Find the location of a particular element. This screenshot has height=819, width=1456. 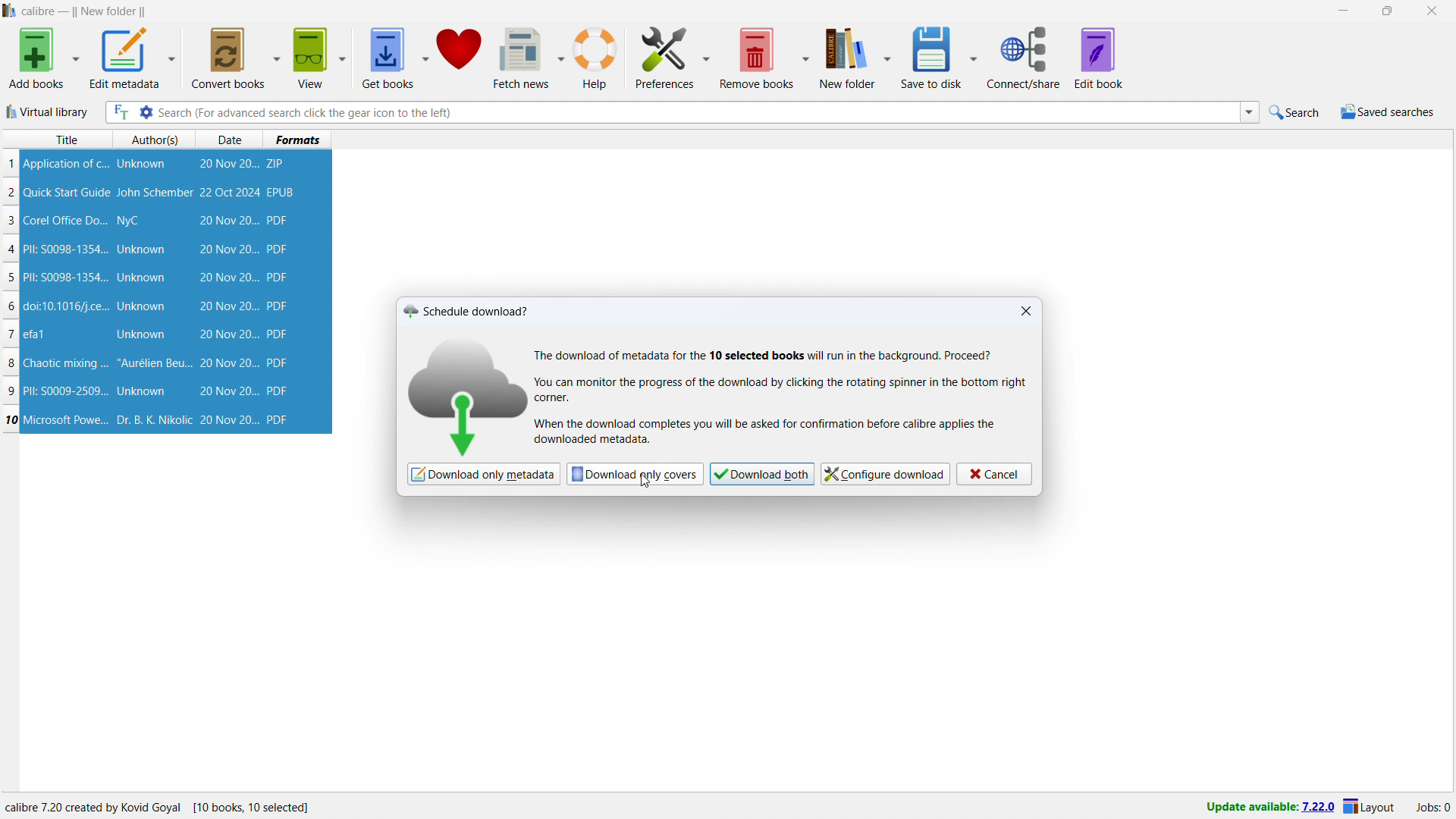

EPUB is located at coordinates (282, 192).